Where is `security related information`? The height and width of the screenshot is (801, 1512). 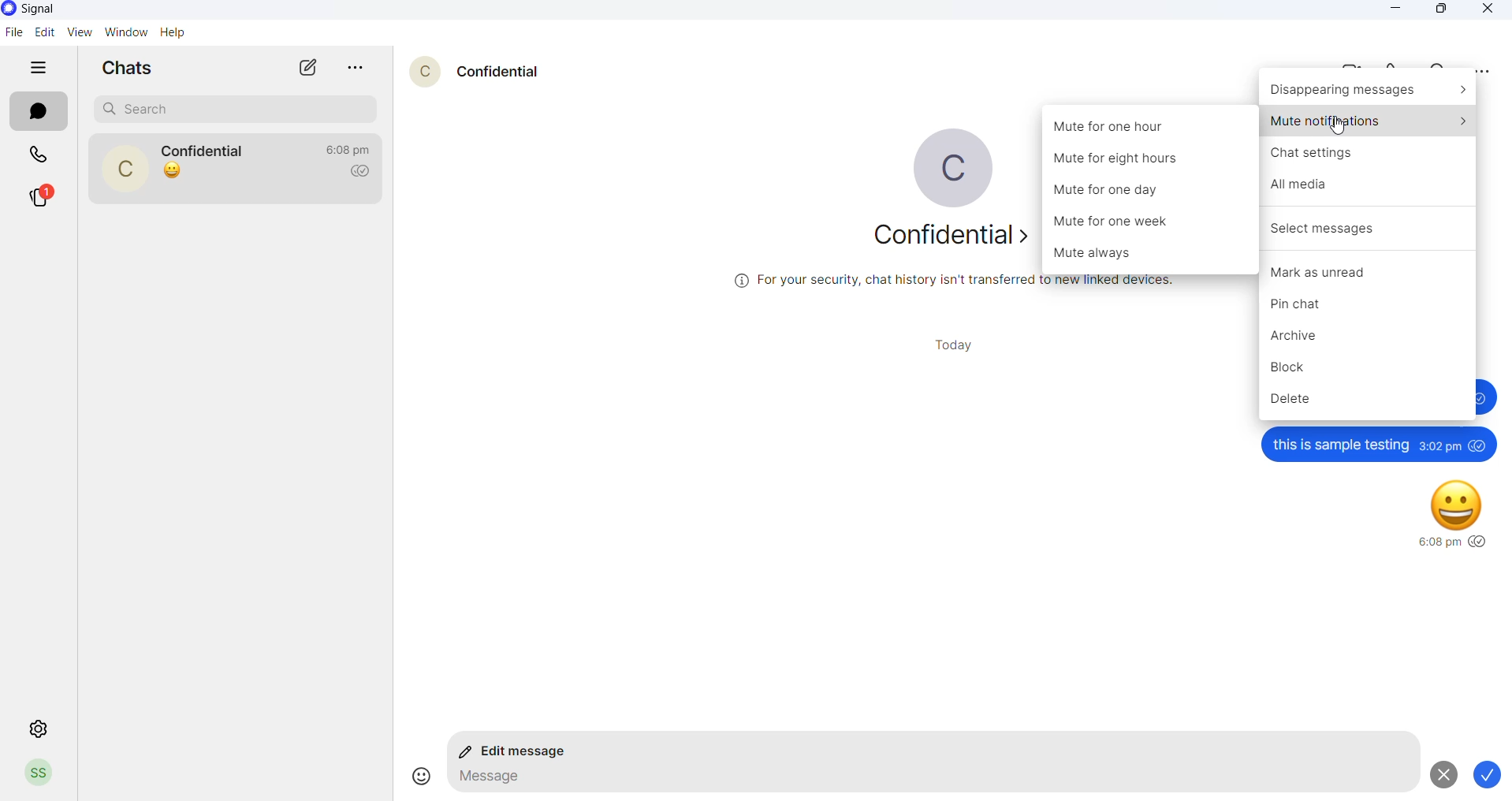
security related information is located at coordinates (957, 281).